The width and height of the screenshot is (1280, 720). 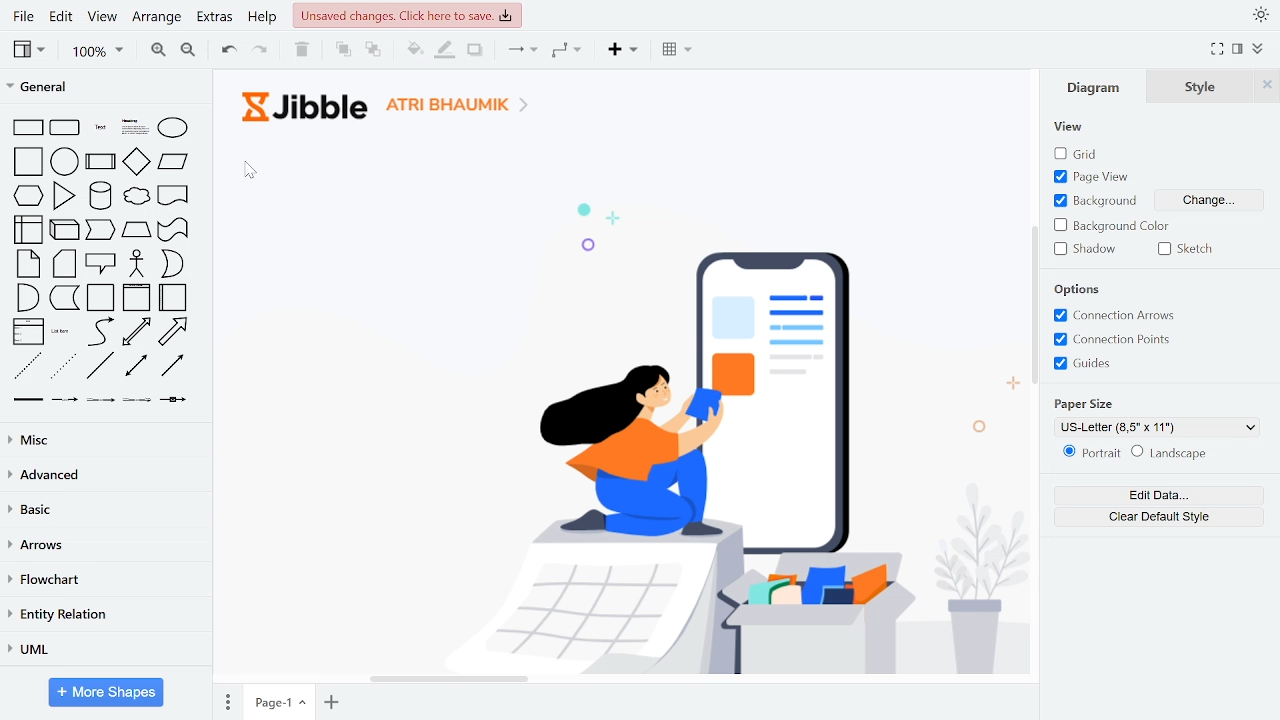 I want to click on general shapes, so click(x=98, y=262).